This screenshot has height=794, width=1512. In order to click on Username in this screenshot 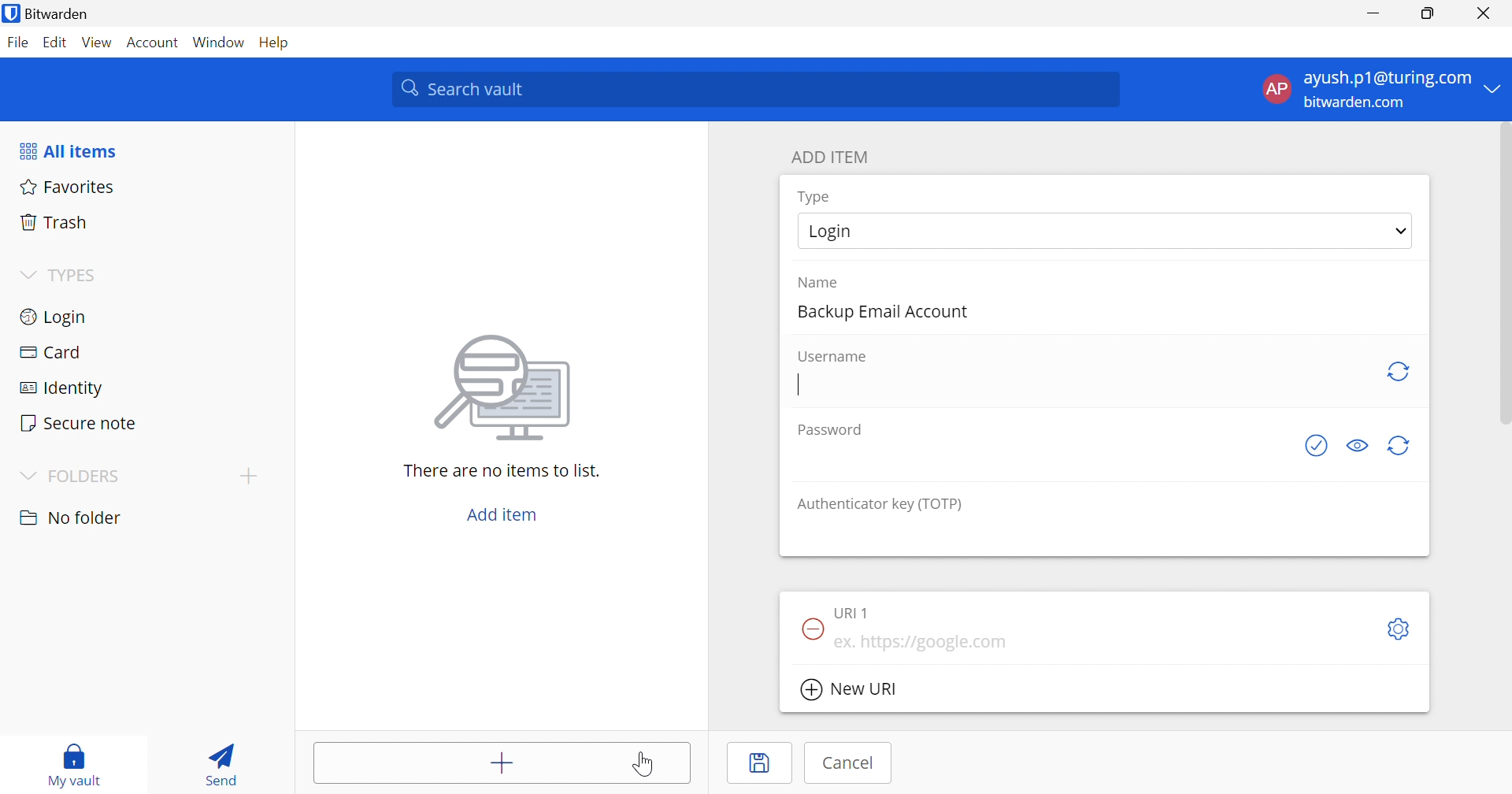, I will do `click(834, 355)`.